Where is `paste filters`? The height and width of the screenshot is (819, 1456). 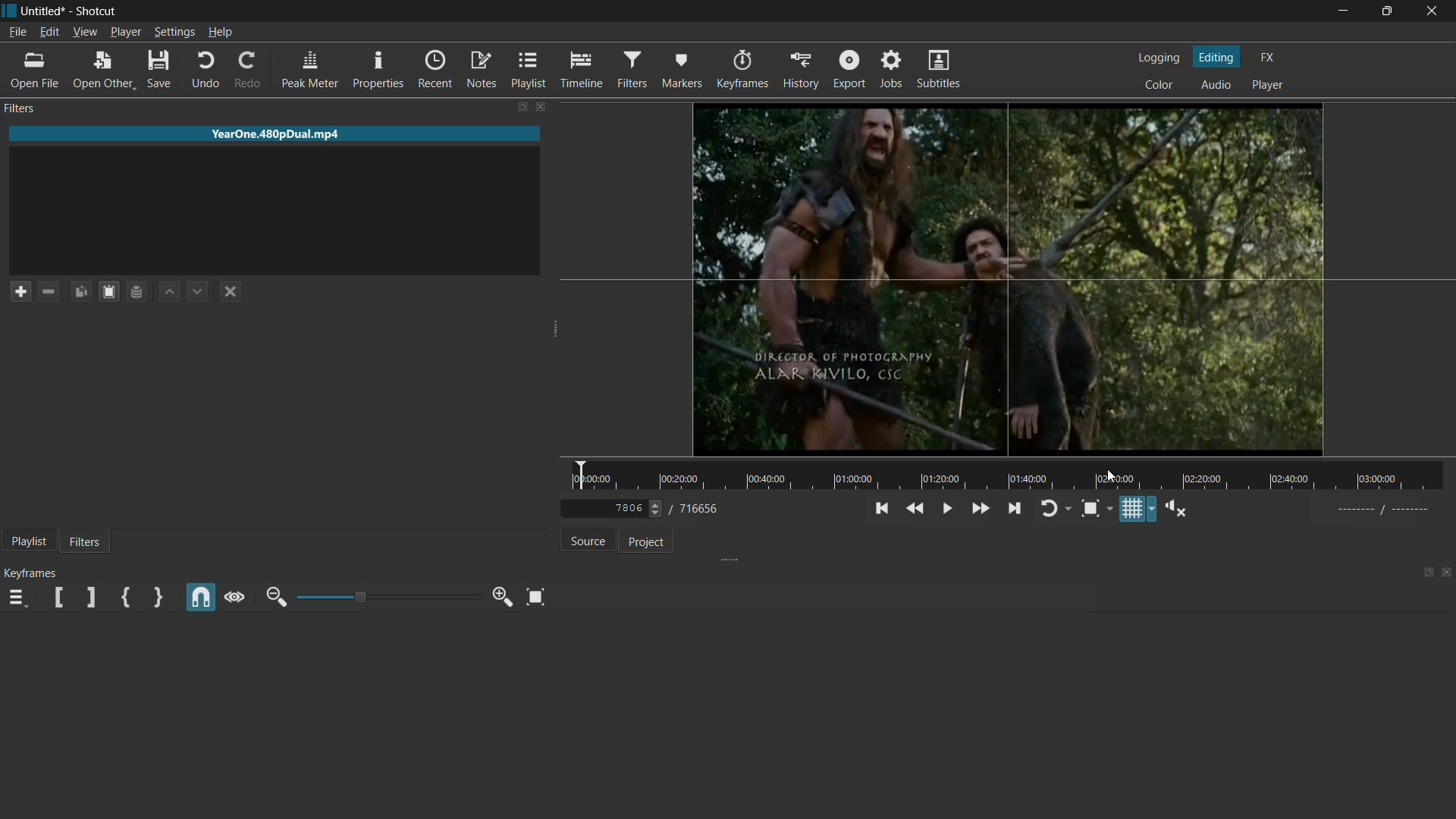
paste filters is located at coordinates (108, 292).